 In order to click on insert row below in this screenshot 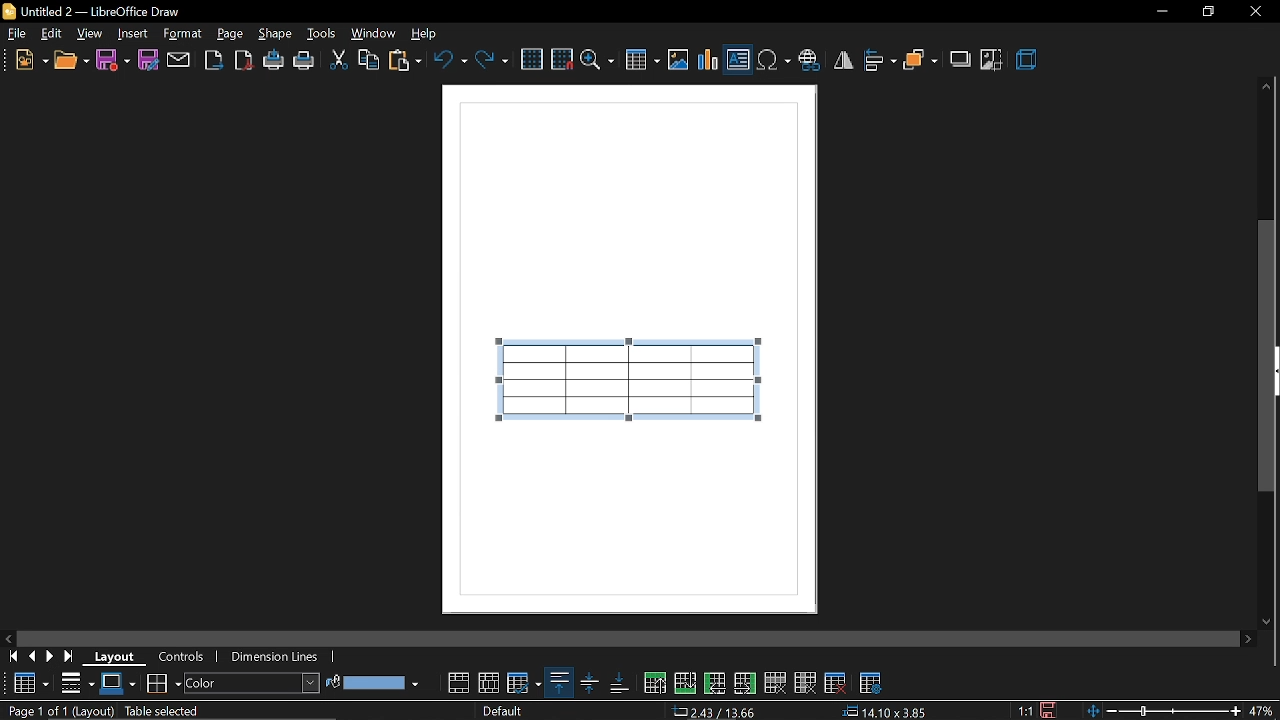, I will do `click(686, 682)`.